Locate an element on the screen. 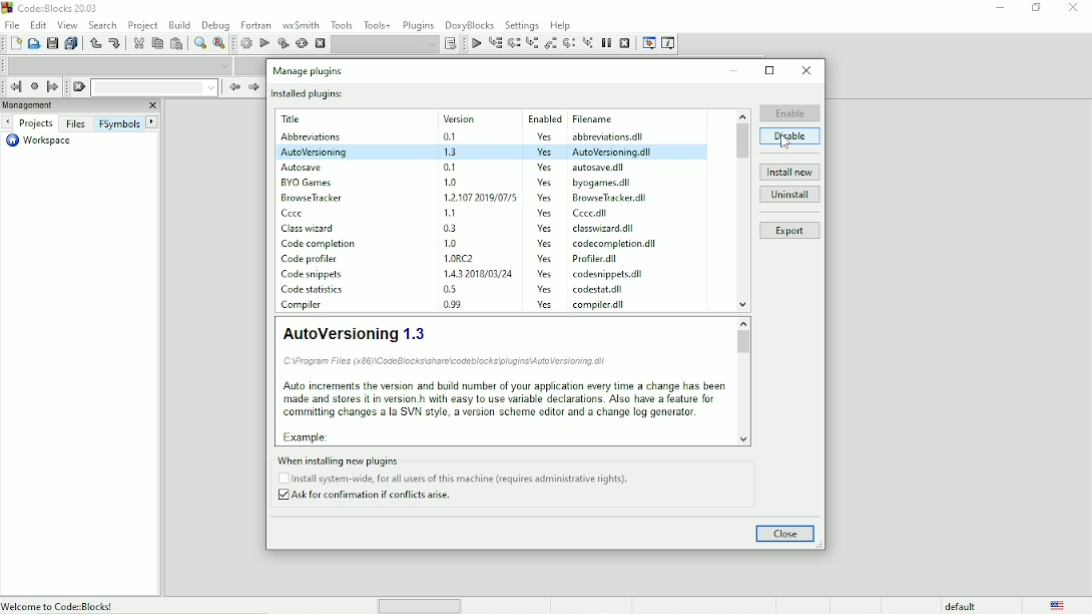 The height and width of the screenshot is (614, 1092). Yes is located at coordinates (544, 274).